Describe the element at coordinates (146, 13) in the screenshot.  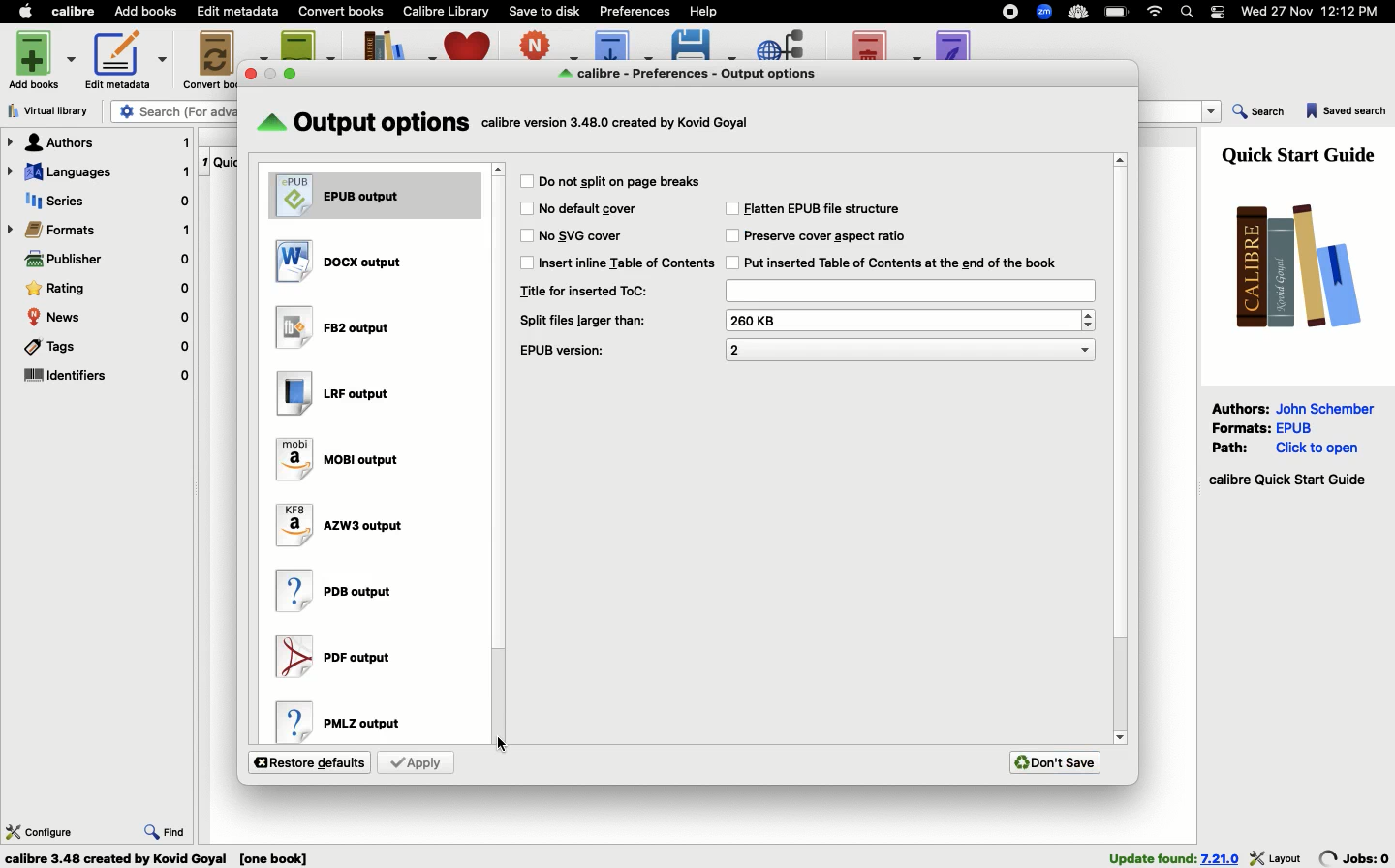
I see `Add books` at that location.